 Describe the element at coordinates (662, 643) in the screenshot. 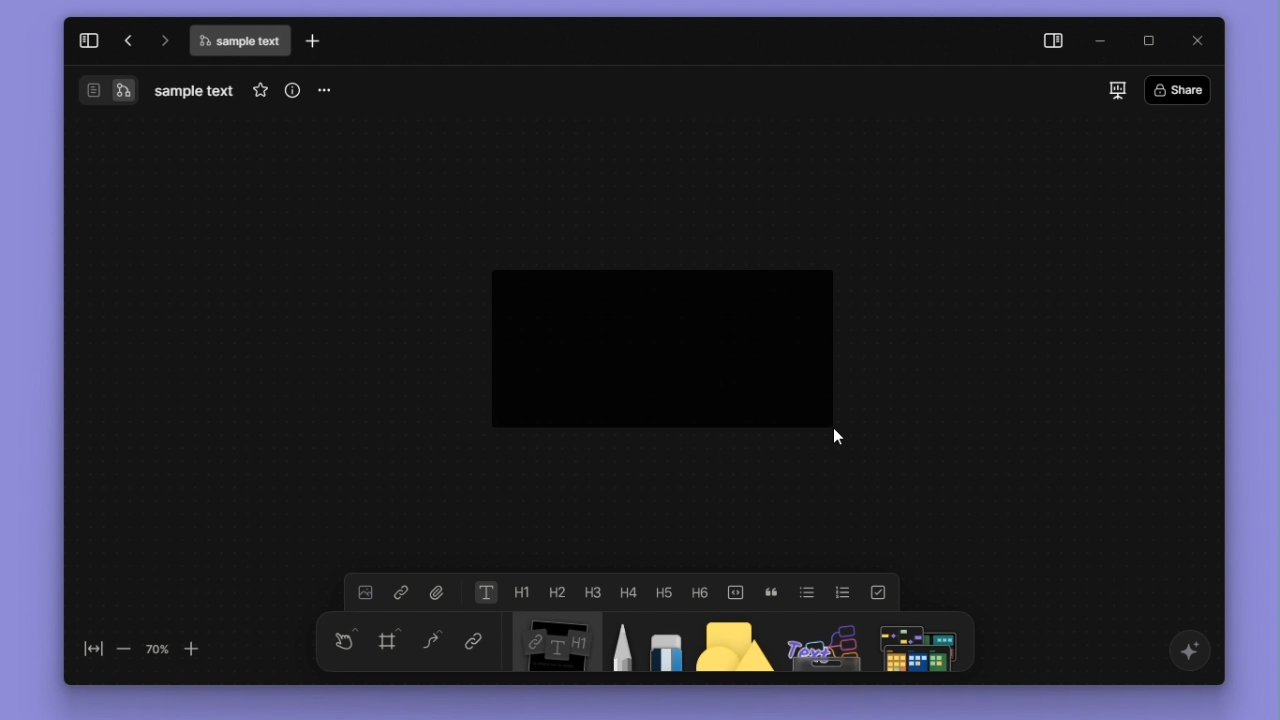

I see `eraser` at that location.